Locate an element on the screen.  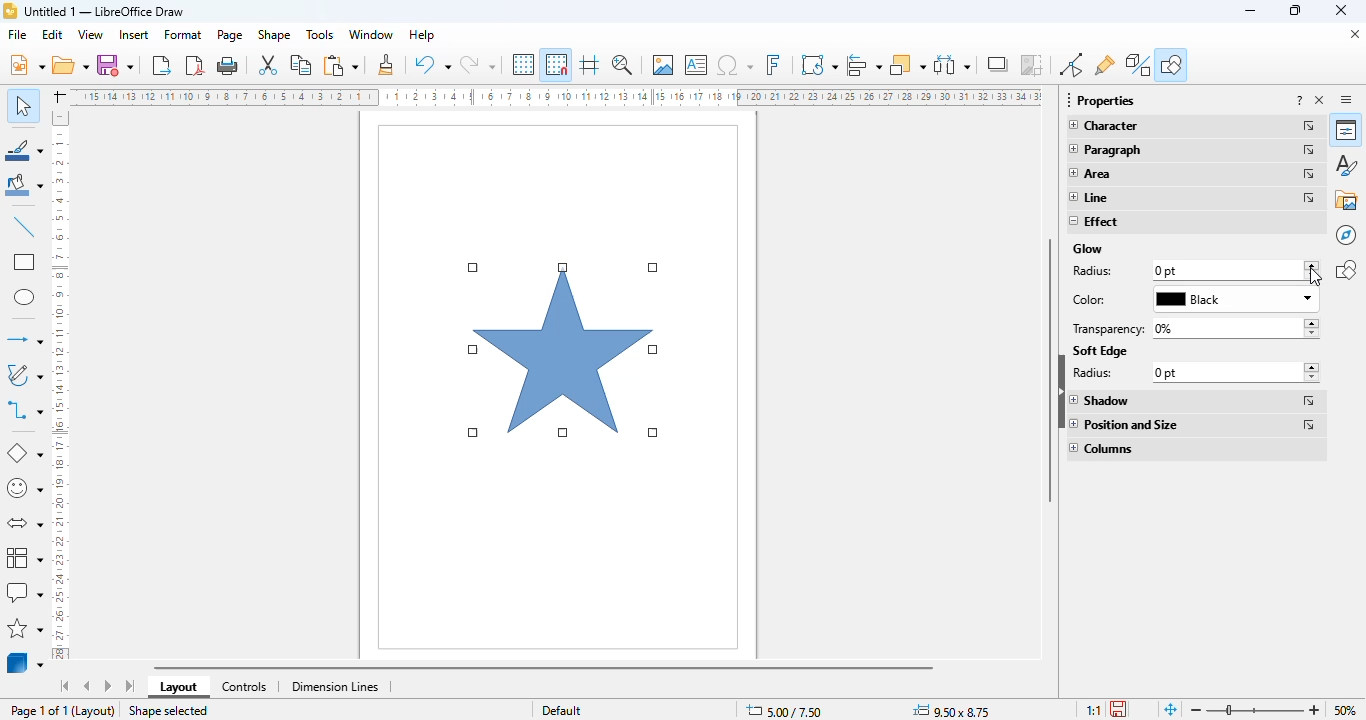
callout shapes is located at coordinates (24, 591).